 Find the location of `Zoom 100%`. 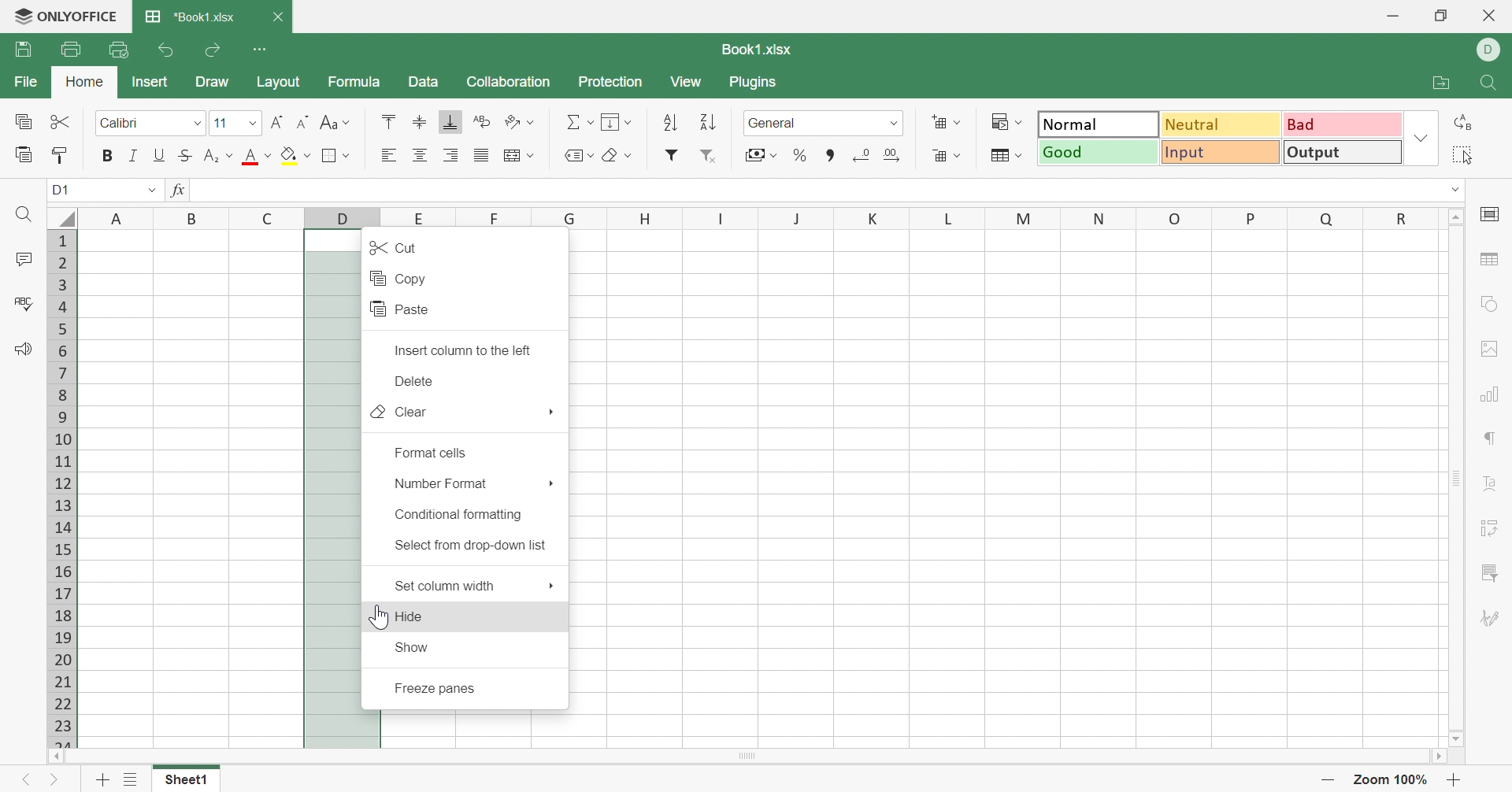

Zoom 100% is located at coordinates (1392, 779).